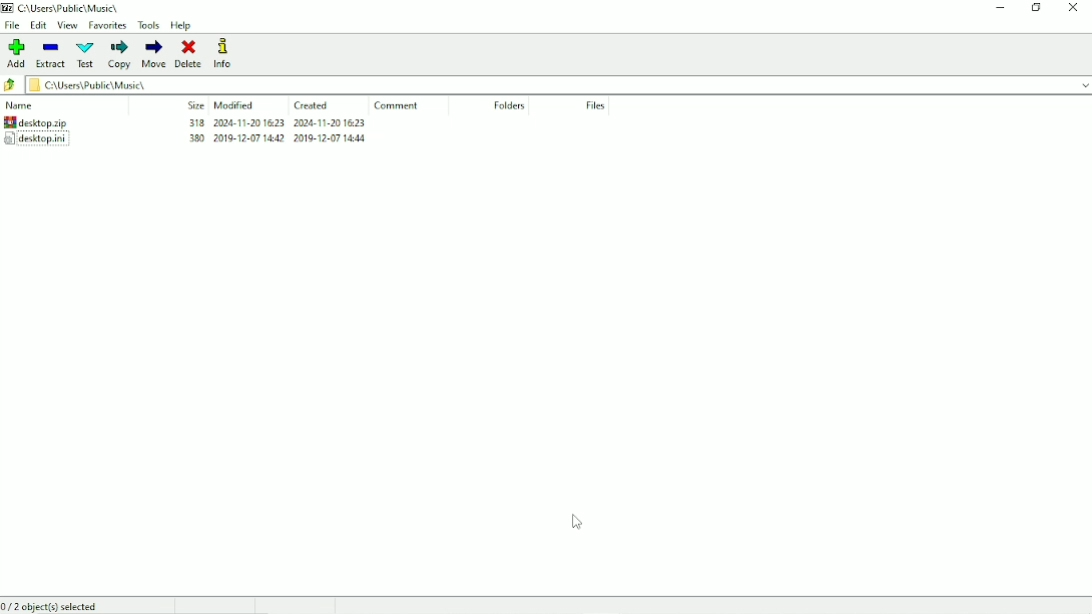 The image size is (1092, 614). Describe the element at coordinates (575, 522) in the screenshot. I see `Cursor` at that location.